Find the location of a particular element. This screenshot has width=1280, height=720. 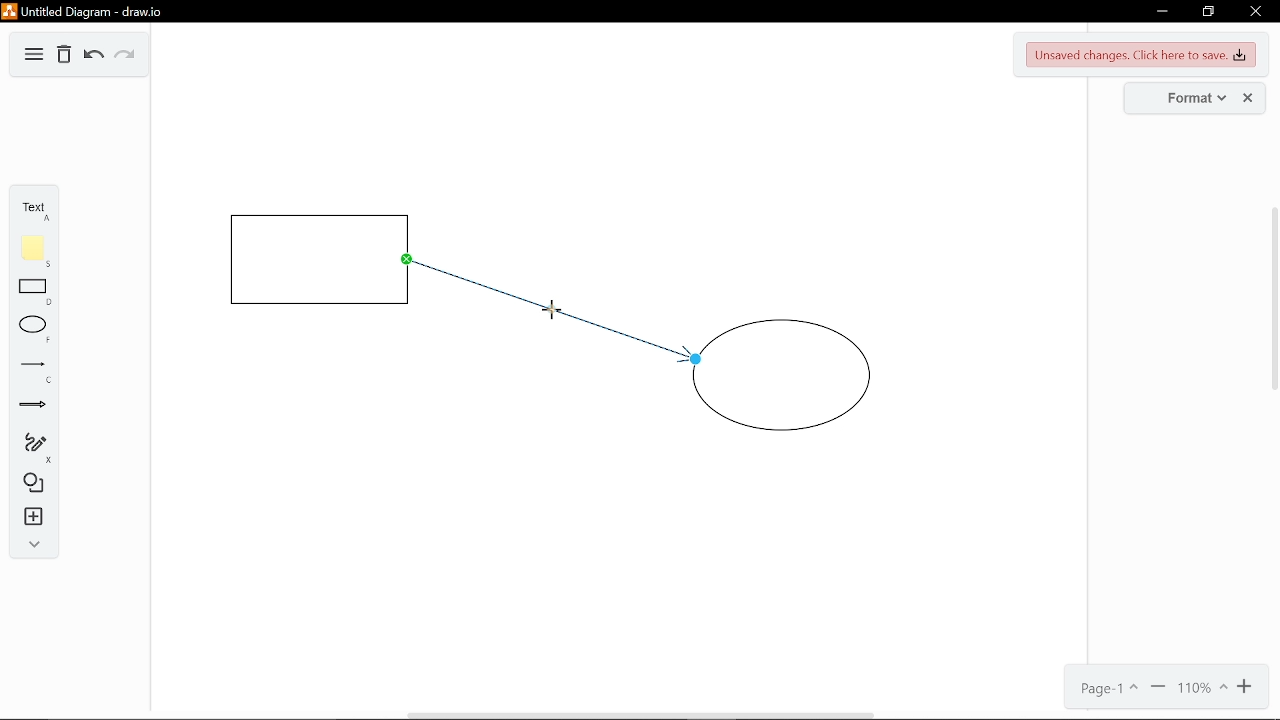

Rectangle is located at coordinates (32, 292).